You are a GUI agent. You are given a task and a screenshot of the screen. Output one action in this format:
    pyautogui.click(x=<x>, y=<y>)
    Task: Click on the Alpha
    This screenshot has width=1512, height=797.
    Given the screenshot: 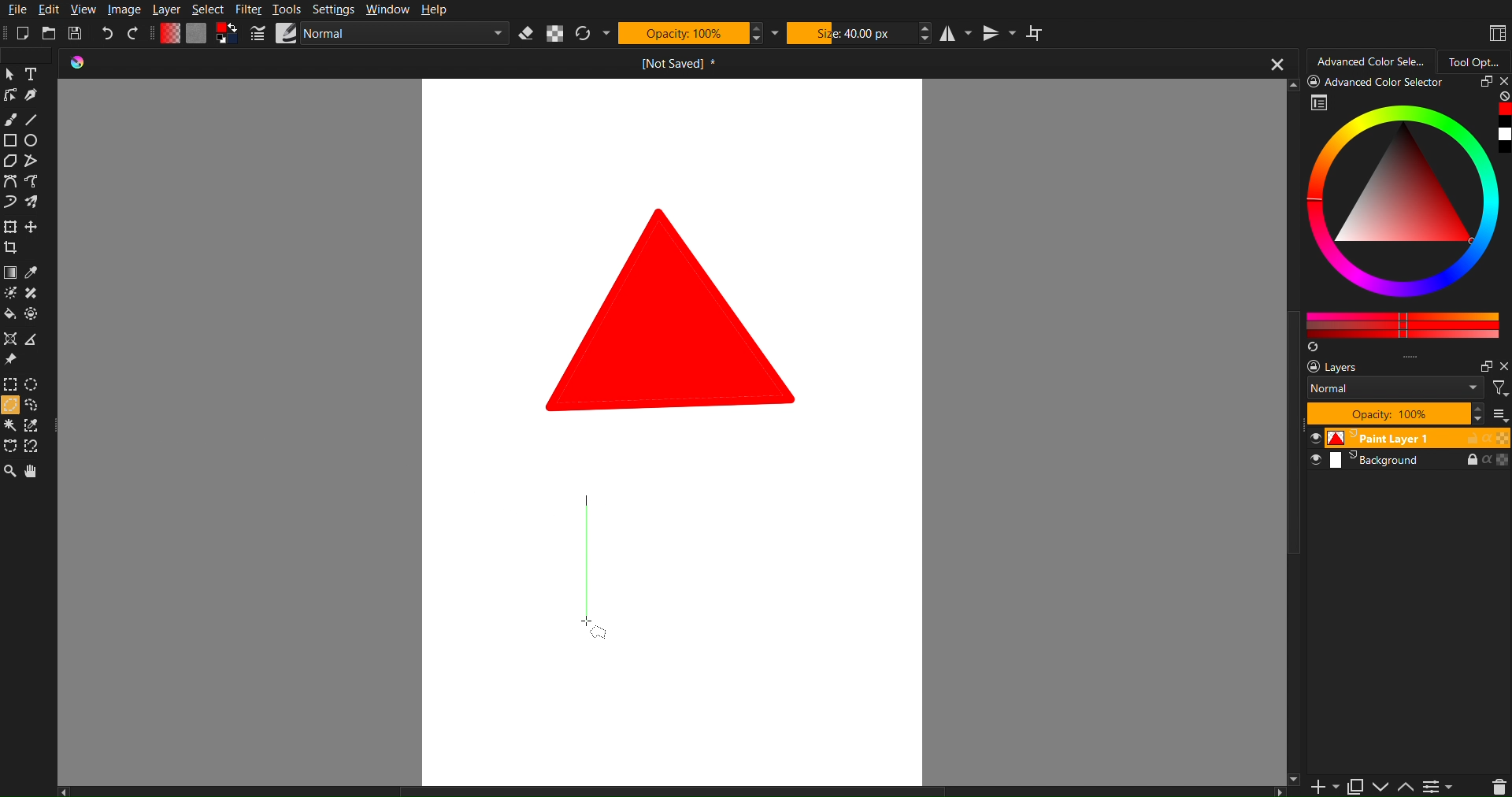 What is the action you would take?
    pyautogui.click(x=558, y=34)
    